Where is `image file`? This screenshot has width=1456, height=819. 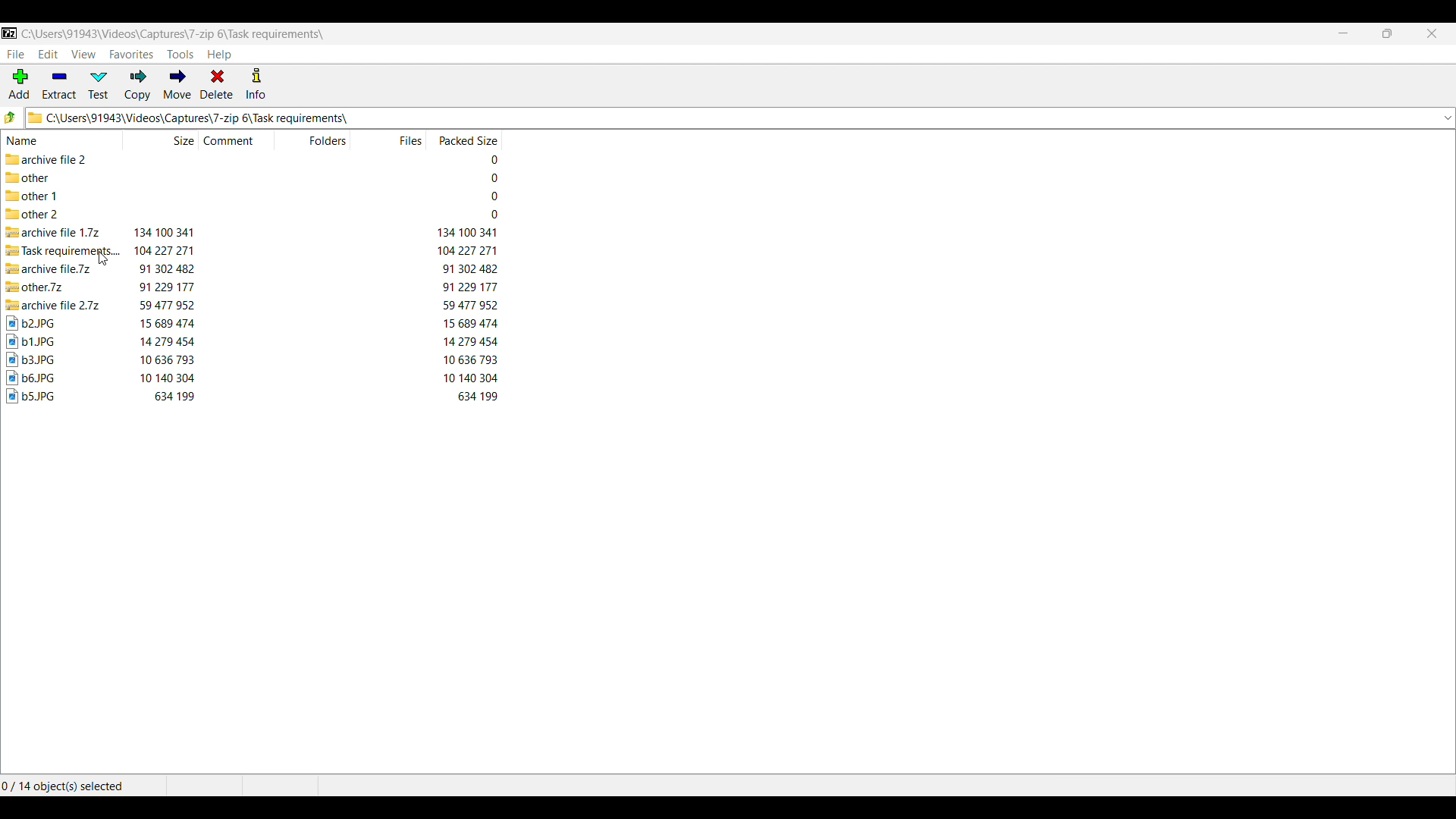 image file is located at coordinates (42, 359).